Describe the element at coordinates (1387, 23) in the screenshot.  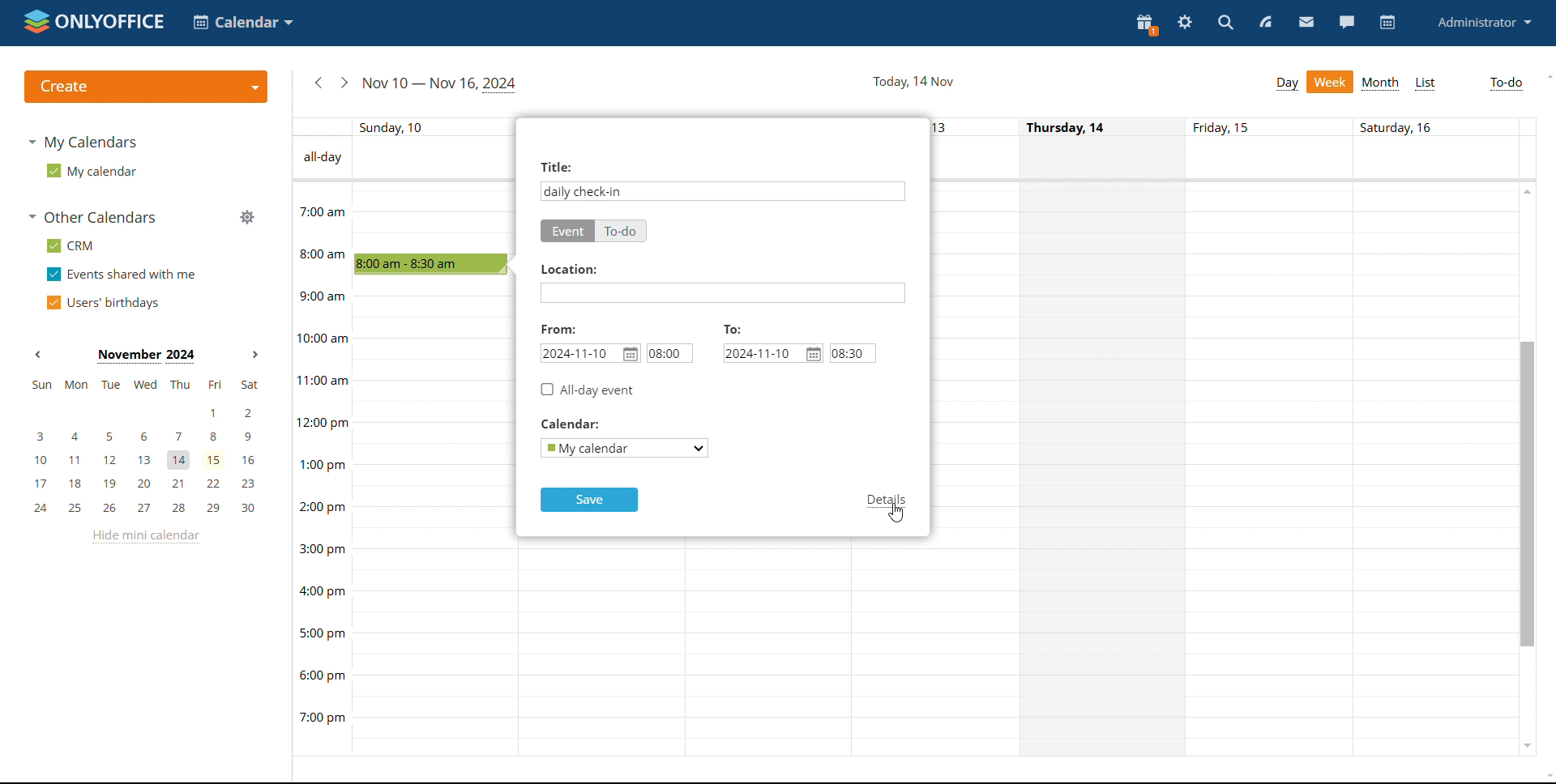
I see `calendar` at that location.